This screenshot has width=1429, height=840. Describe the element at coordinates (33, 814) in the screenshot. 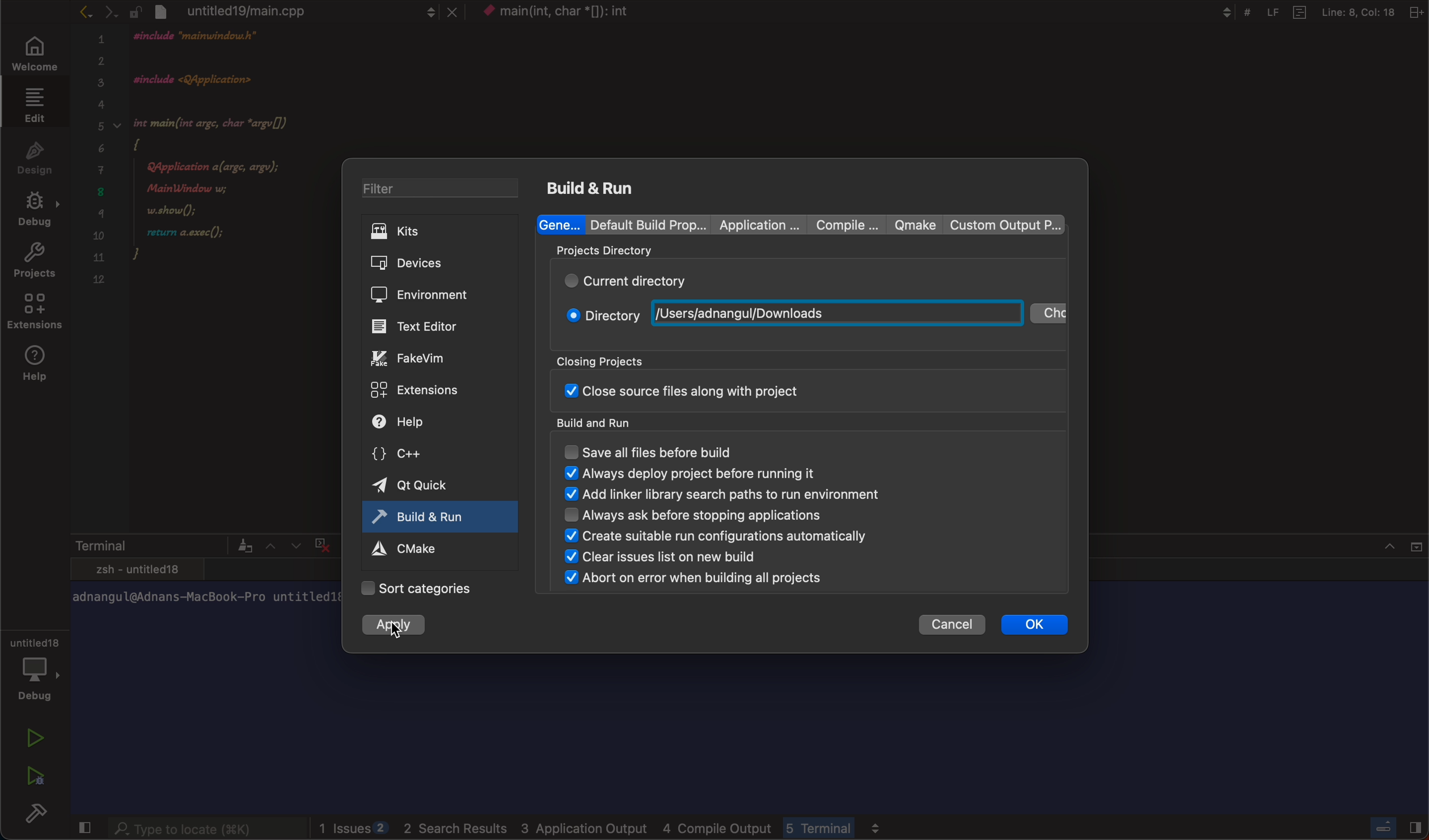

I see `build` at that location.